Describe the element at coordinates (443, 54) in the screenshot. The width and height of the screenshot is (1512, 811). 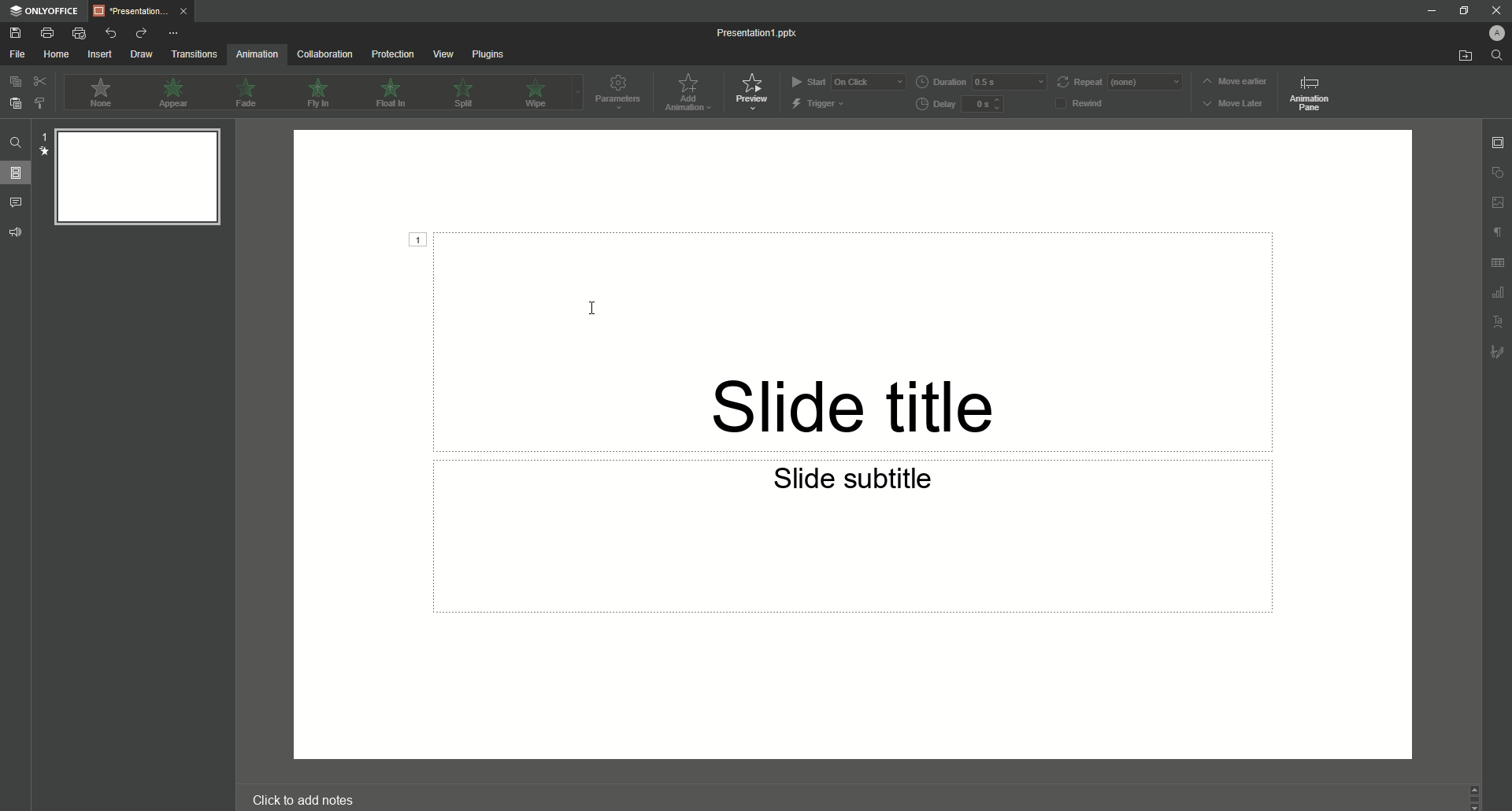
I see `View` at that location.